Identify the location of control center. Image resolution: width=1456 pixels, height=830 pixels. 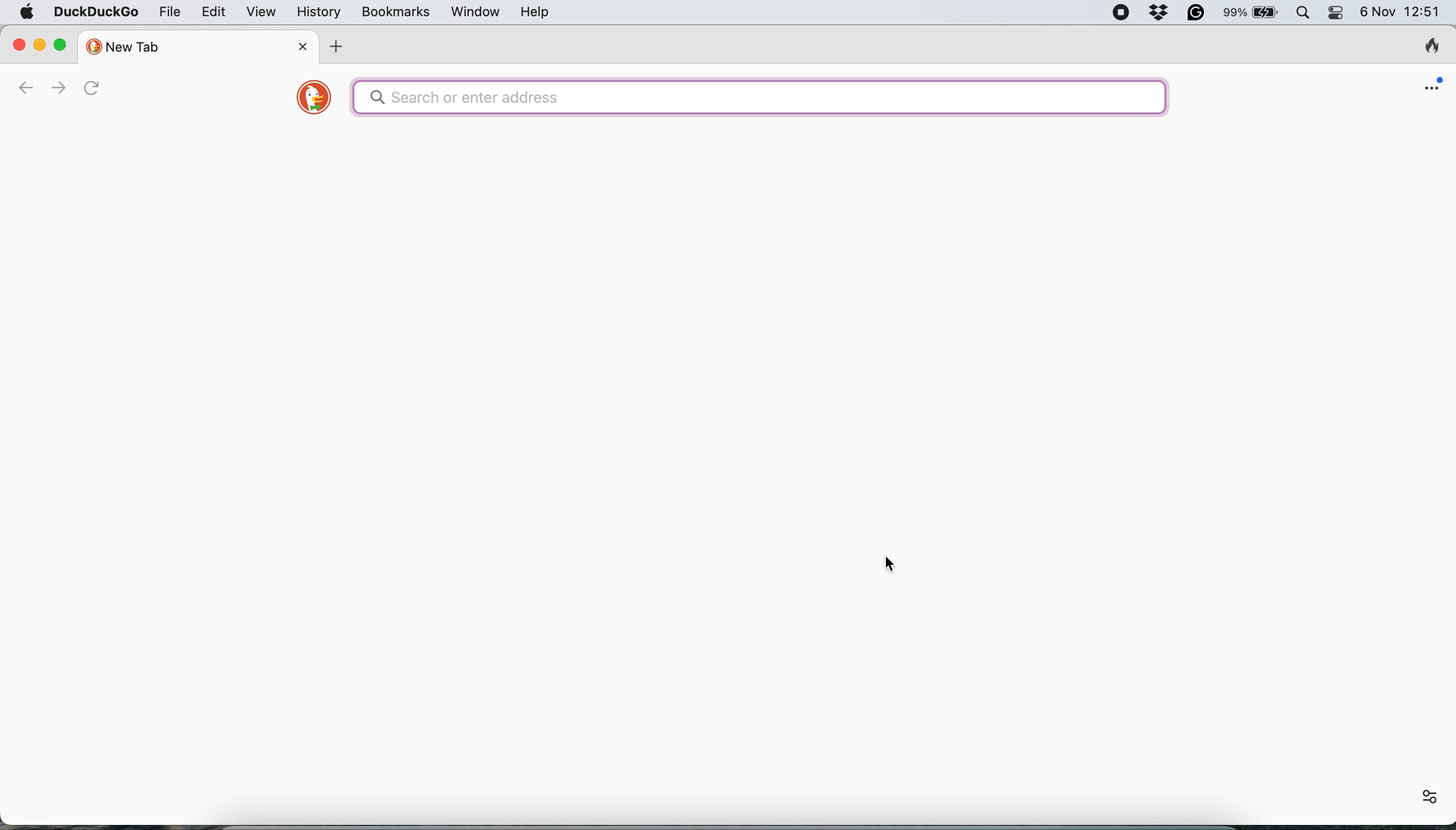
(1337, 13).